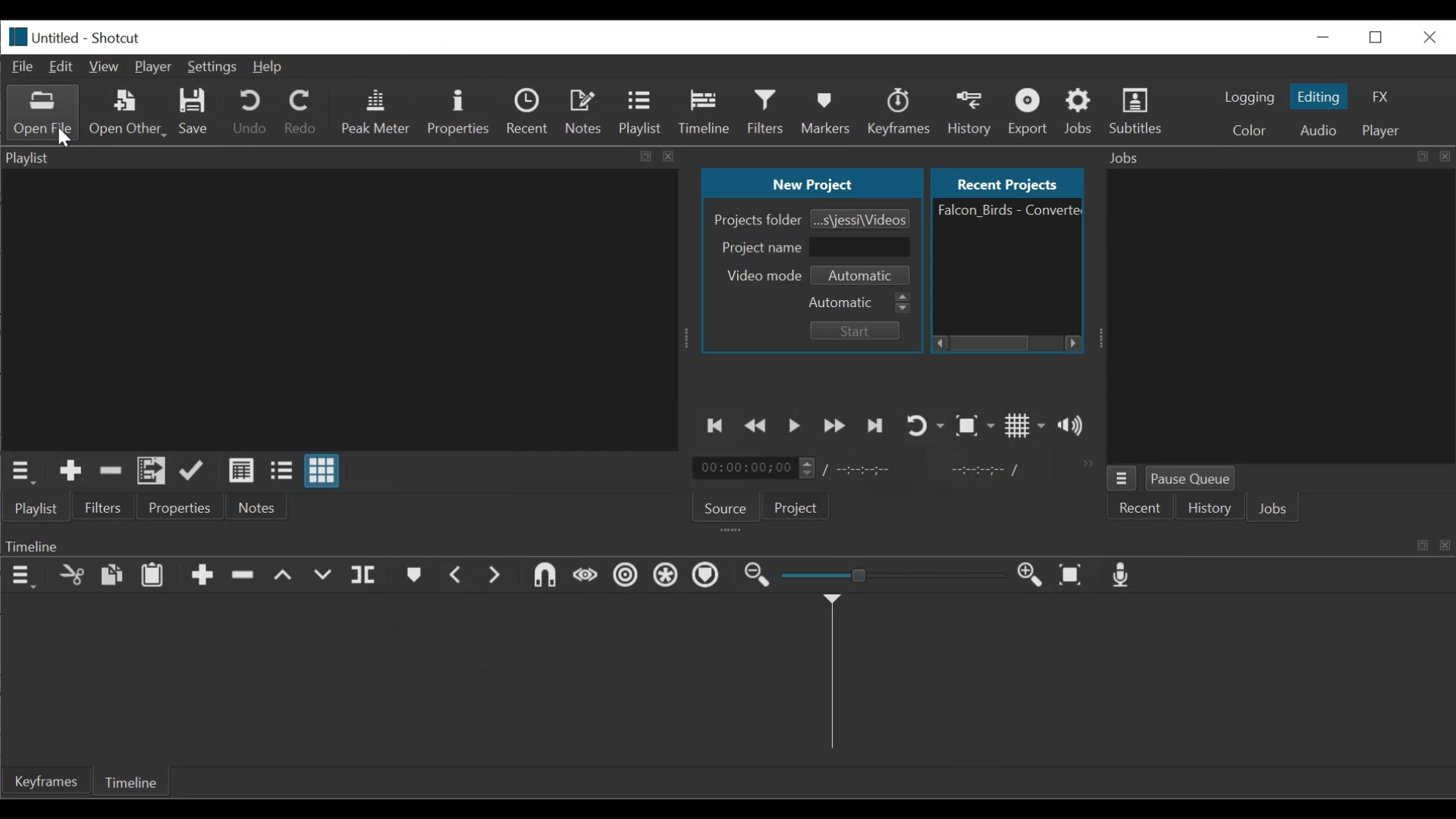 The height and width of the screenshot is (819, 1456). What do you see at coordinates (497, 576) in the screenshot?
I see `Next Marker` at bounding box center [497, 576].